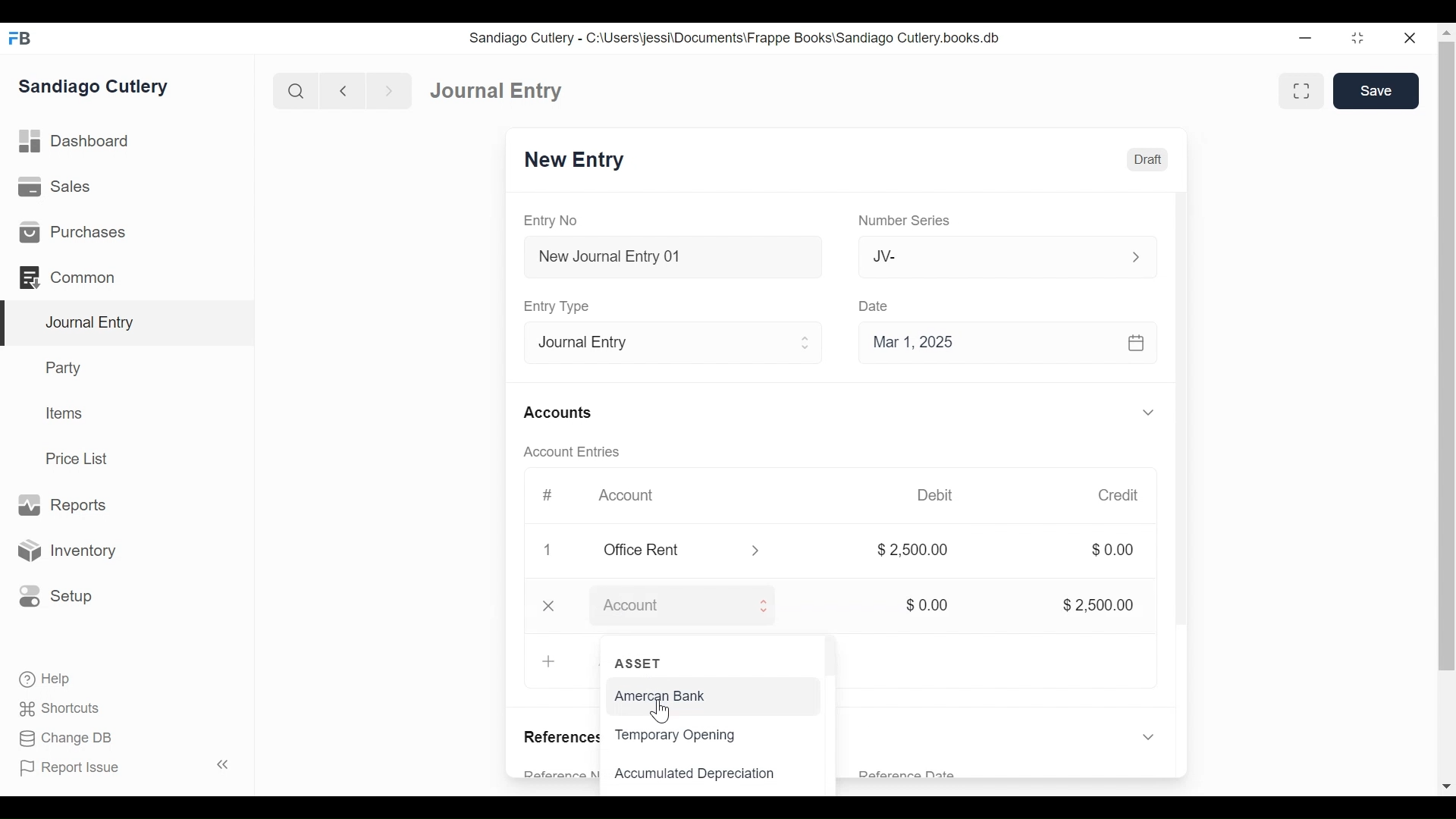 The image size is (1456, 819). What do you see at coordinates (102, 88) in the screenshot?
I see `Sandiago Cutlery` at bounding box center [102, 88].